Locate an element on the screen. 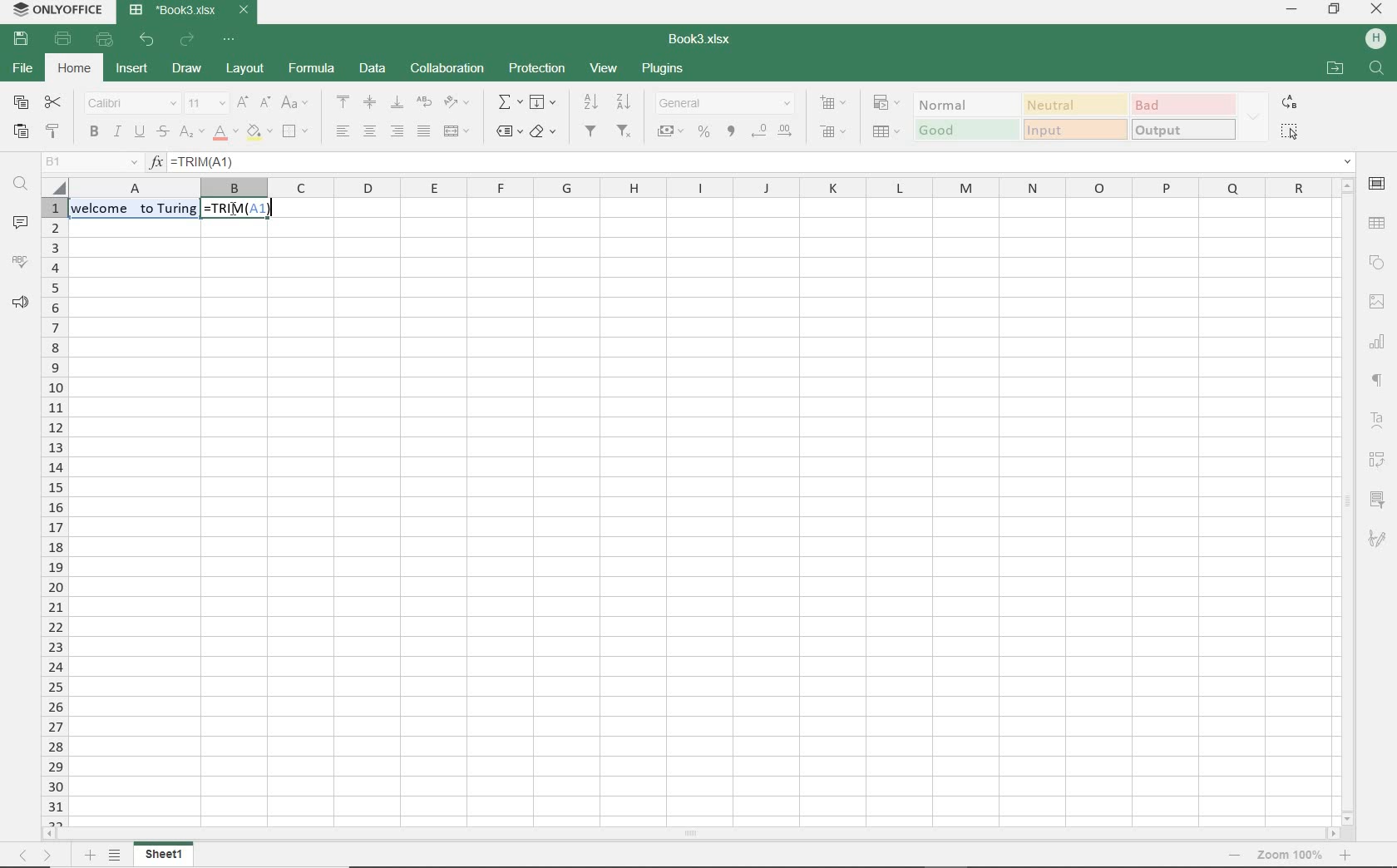 The image size is (1397, 868). print is located at coordinates (60, 37).